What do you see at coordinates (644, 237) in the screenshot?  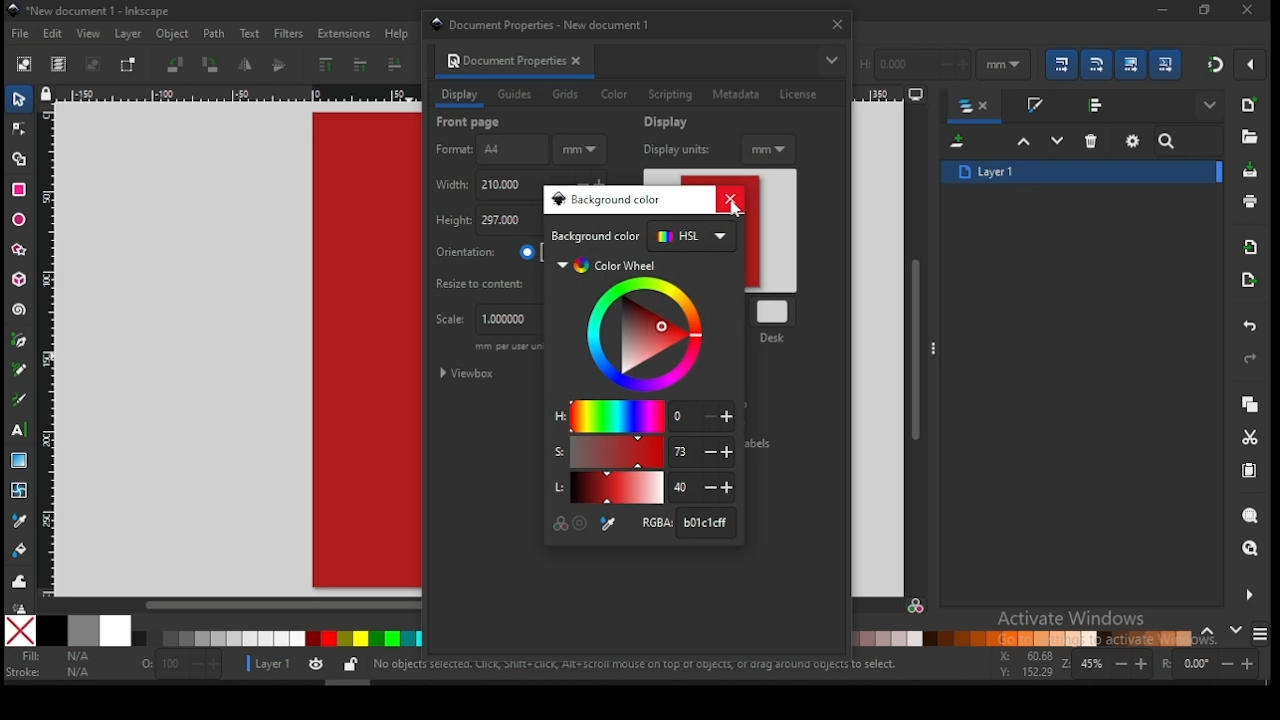 I see `background color mode` at bounding box center [644, 237].